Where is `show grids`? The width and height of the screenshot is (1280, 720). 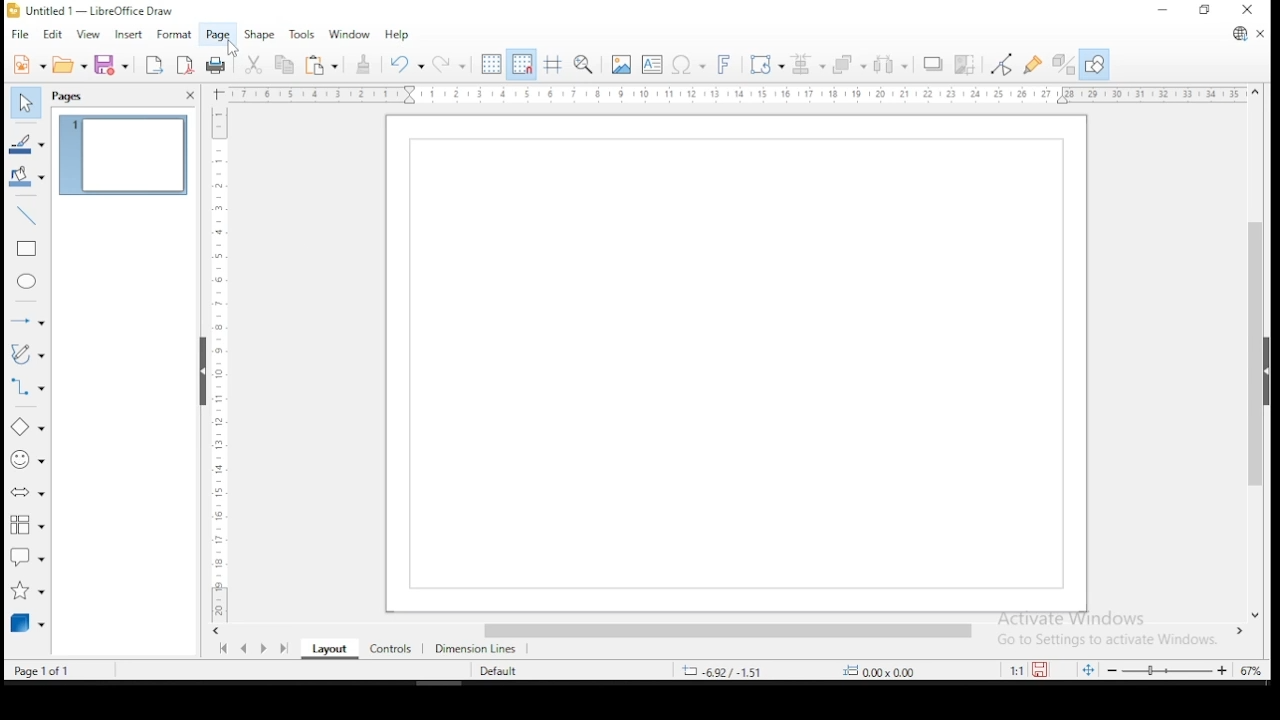
show grids is located at coordinates (489, 63).